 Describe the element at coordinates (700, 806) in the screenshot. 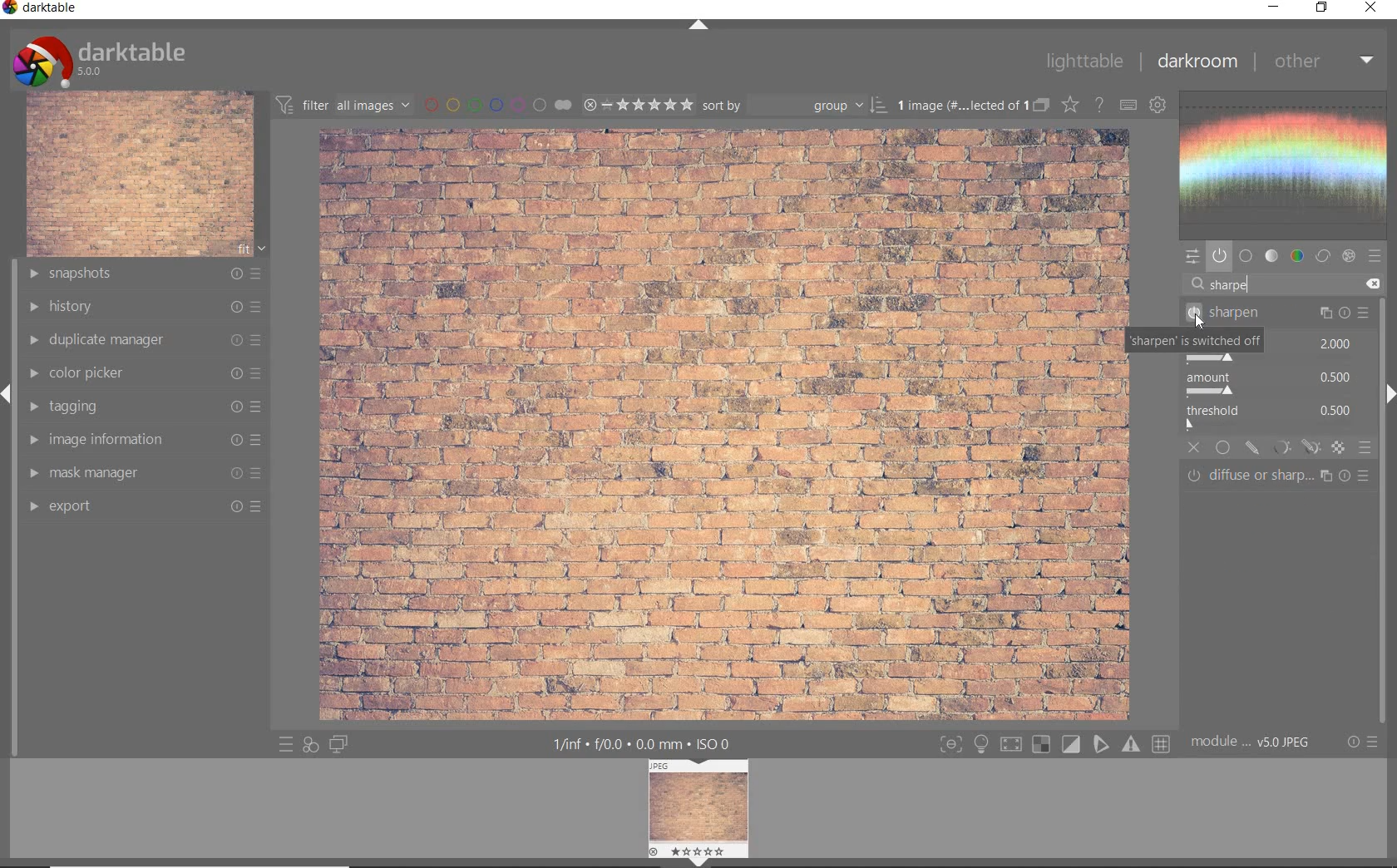

I see `image preview` at that location.